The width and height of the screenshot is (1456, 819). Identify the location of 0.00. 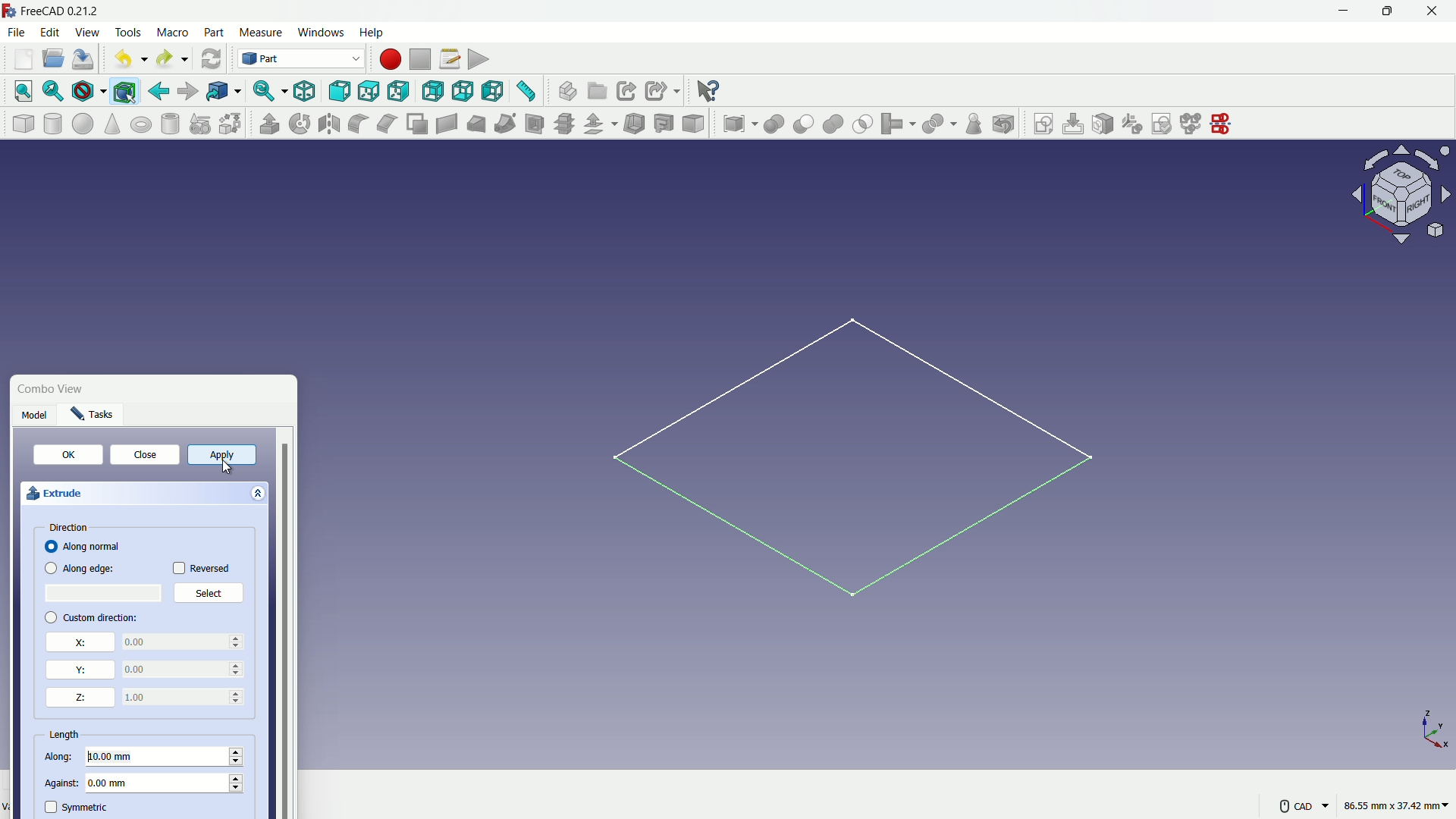
(184, 642).